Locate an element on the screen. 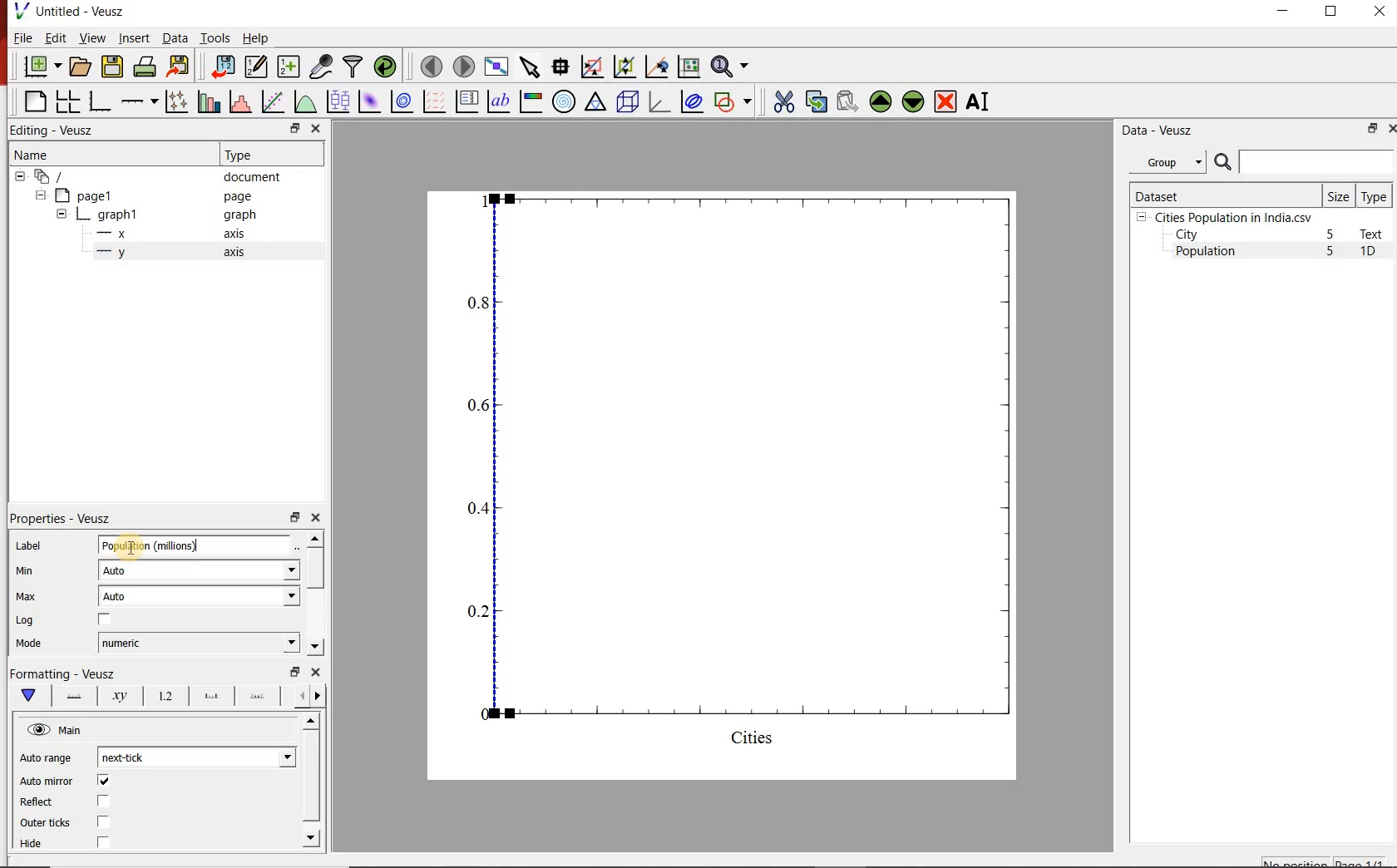  Size is located at coordinates (1339, 195).